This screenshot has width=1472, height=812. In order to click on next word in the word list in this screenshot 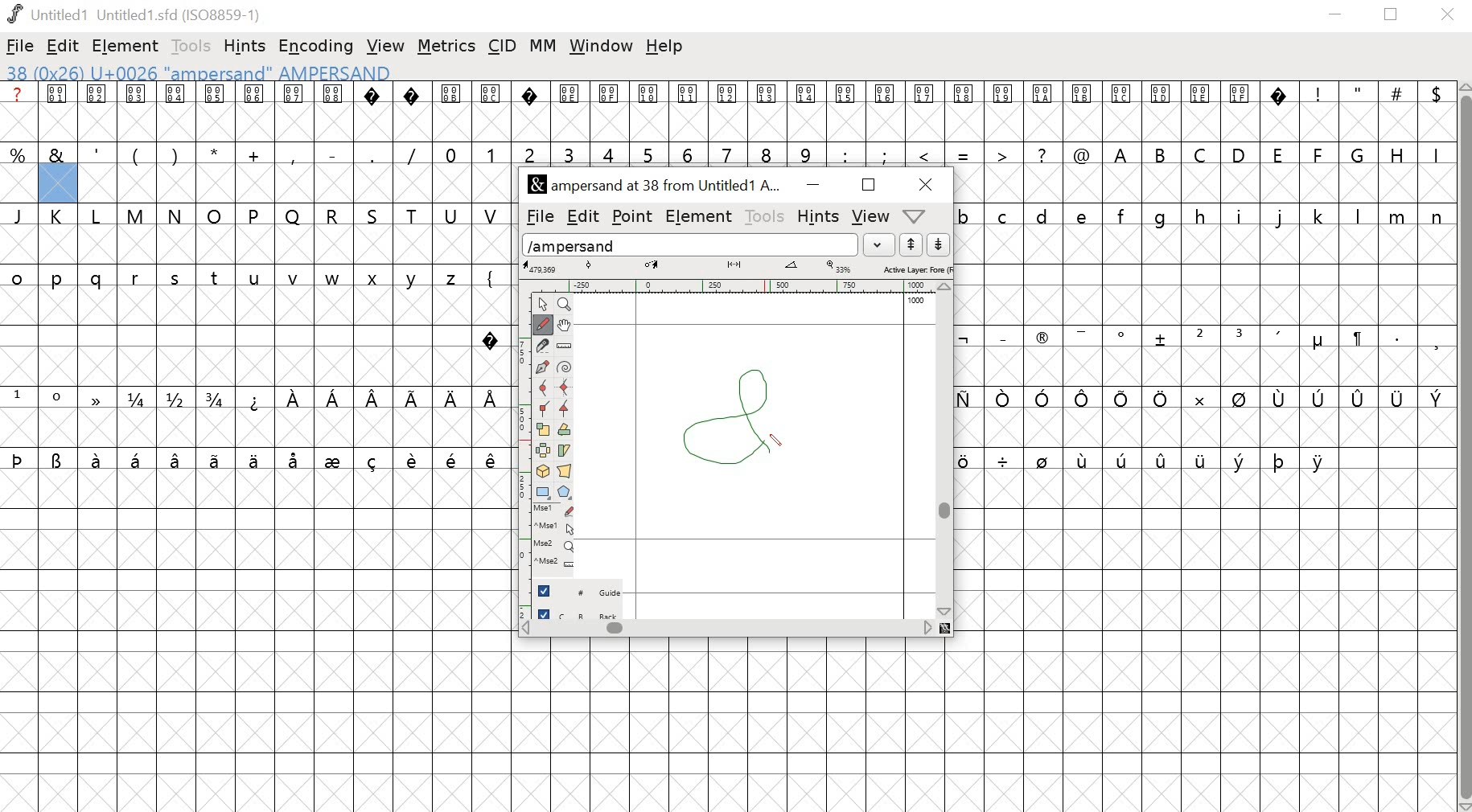, I will do `click(939, 245)`.